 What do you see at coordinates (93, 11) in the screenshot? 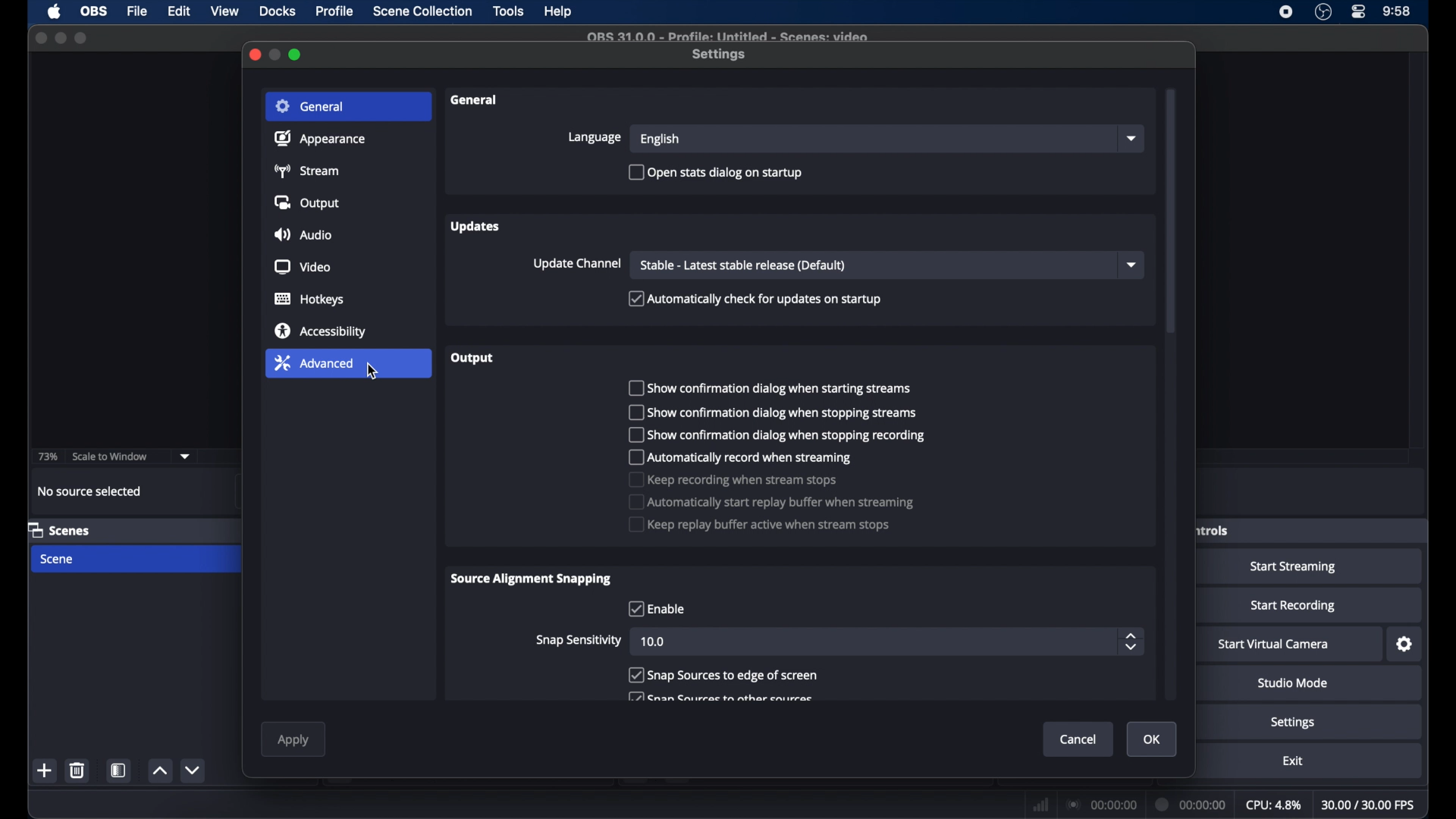
I see `obs` at bounding box center [93, 11].